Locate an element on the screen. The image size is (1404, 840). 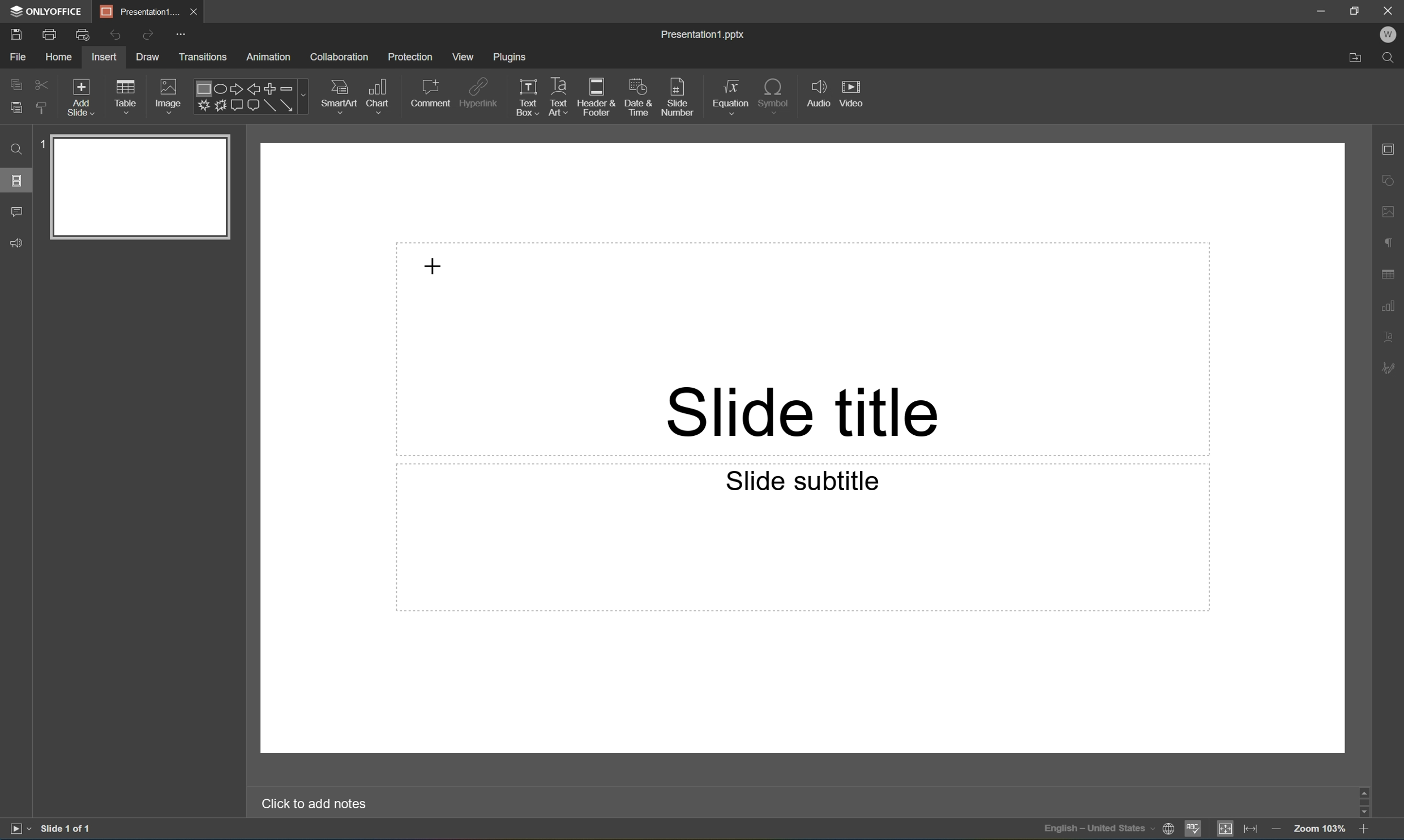
Chart settings is located at coordinates (1391, 306).